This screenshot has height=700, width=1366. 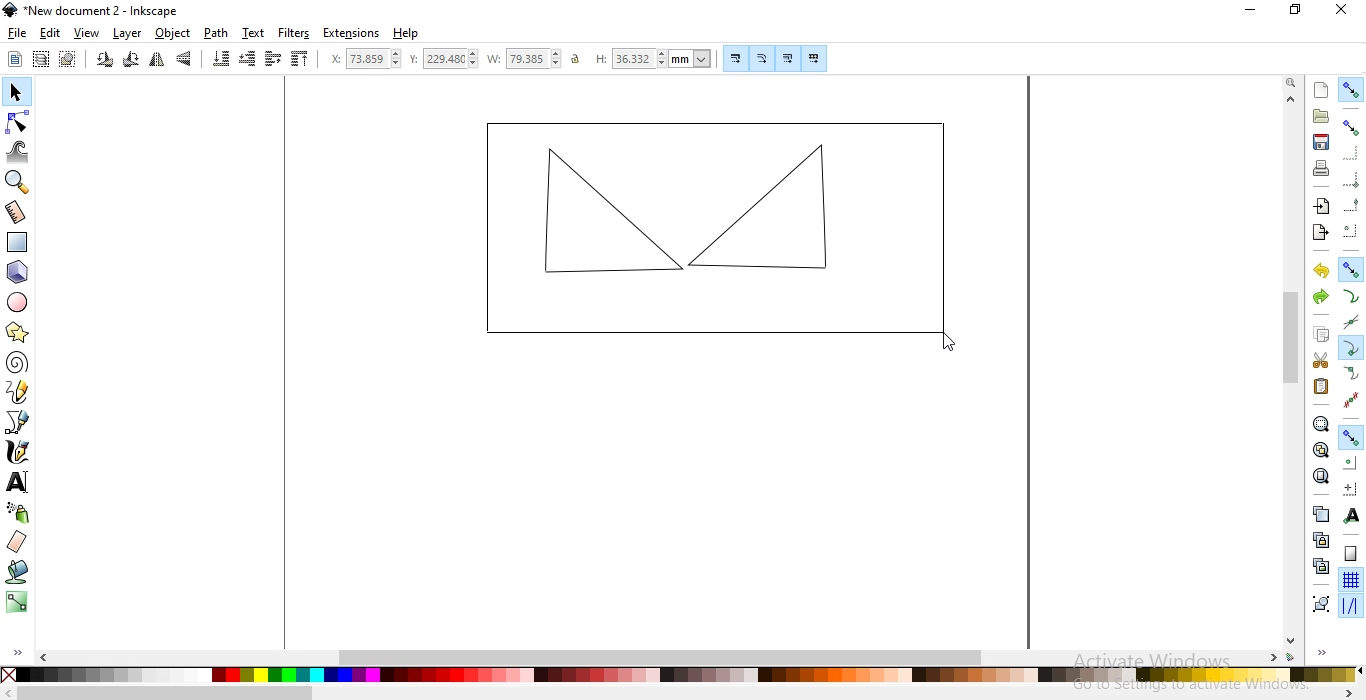 What do you see at coordinates (1353, 514) in the screenshot?
I see `snap text anchors and baselines` at bounding box center [1353, 514].